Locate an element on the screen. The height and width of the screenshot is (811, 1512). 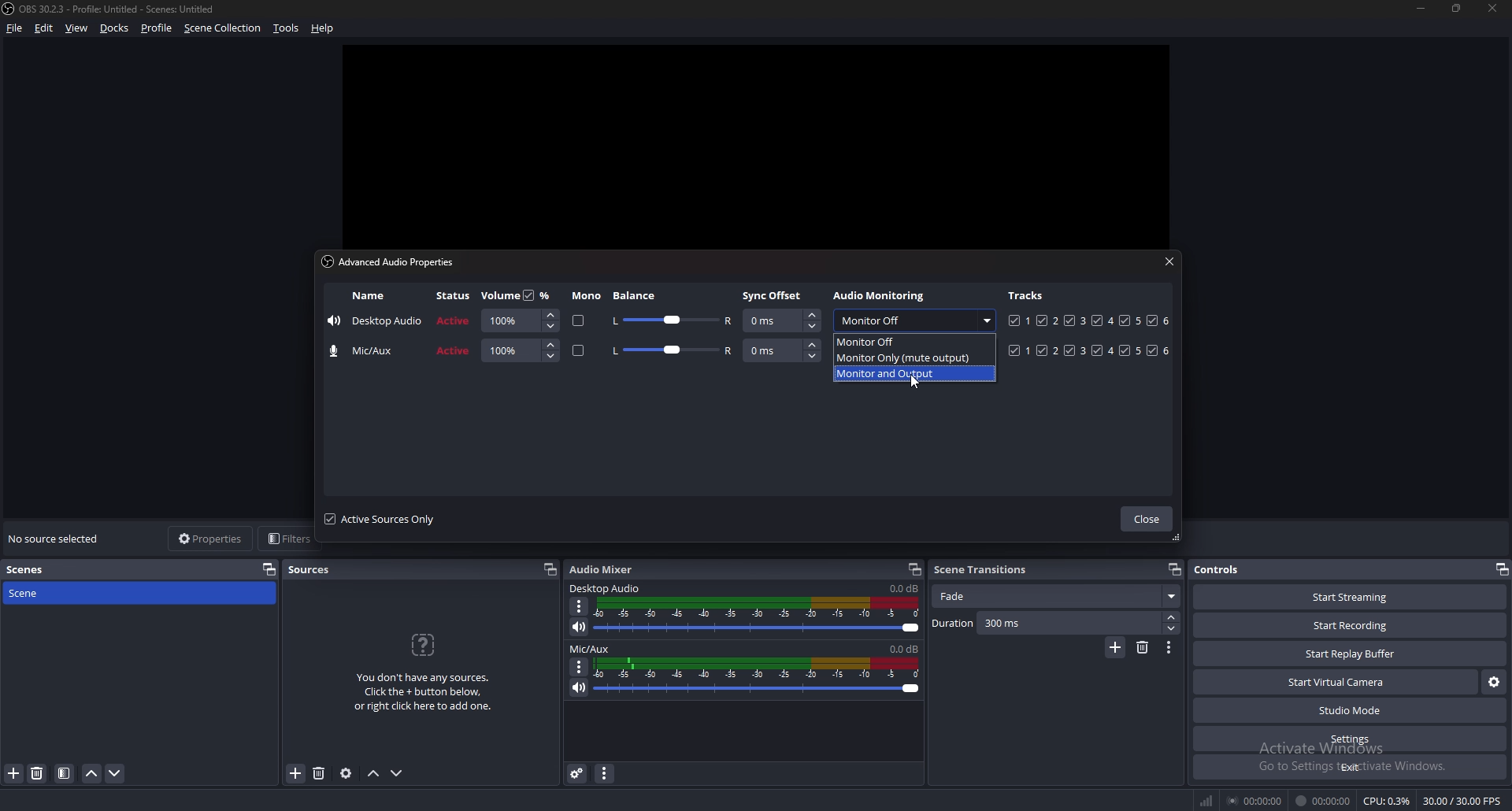
active sources only is located at coordinates (386, 520).